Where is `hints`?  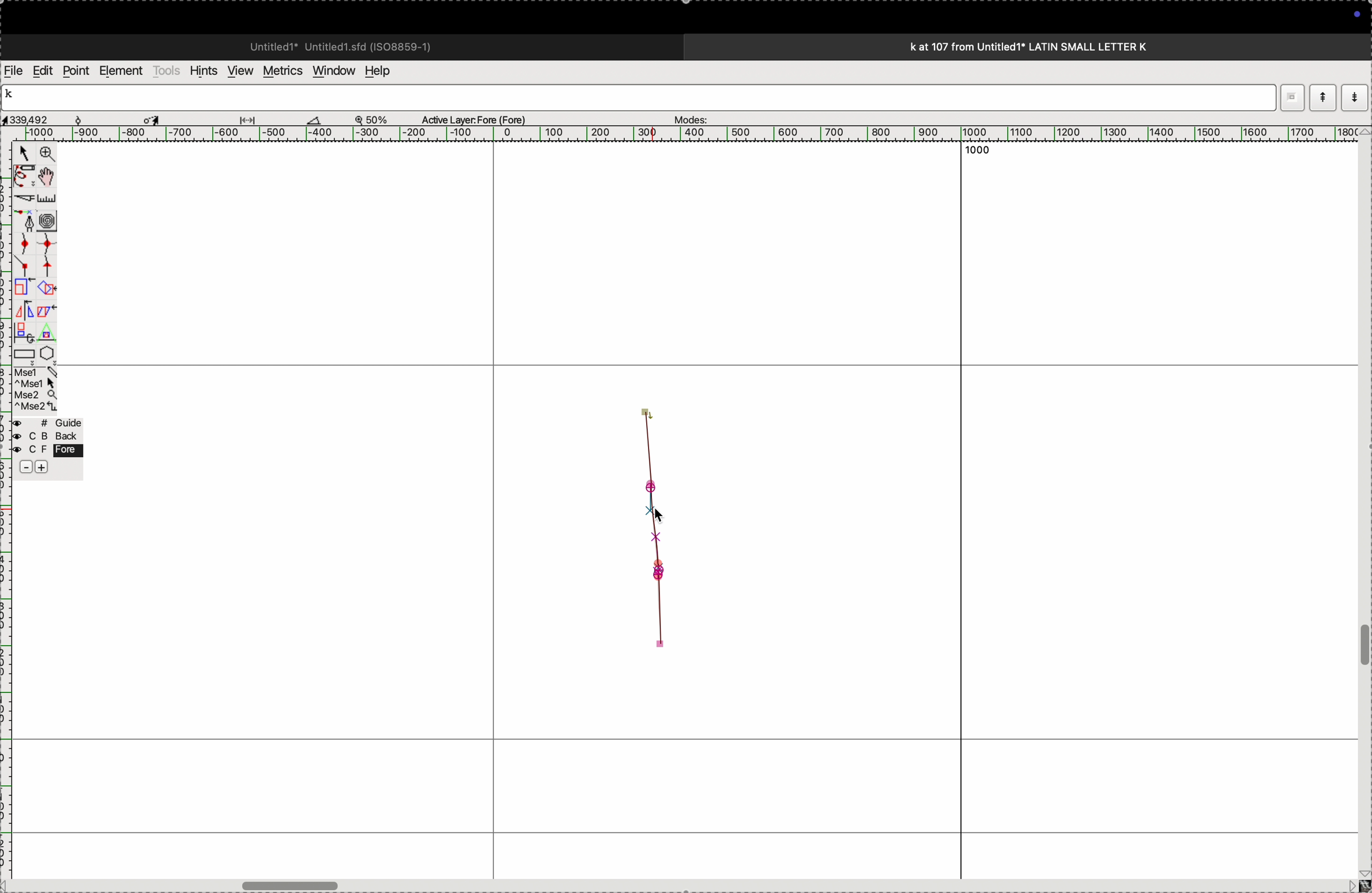 hints is located at coordinates (201, 70).